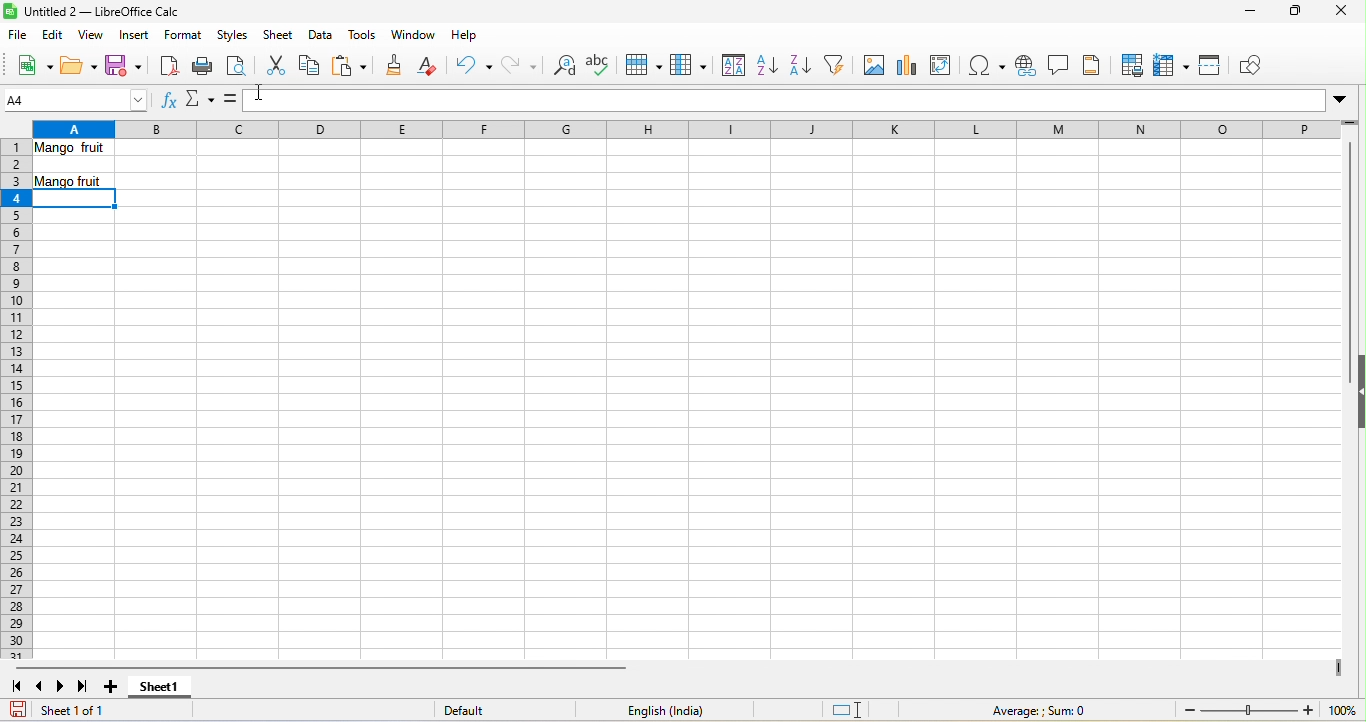 The width and height of the screenshot is (1366, 722). What do you see at coordinates (66, 710) in the screenshot?
I see `sheet 1 of 1` at bounding box center [66, 710].